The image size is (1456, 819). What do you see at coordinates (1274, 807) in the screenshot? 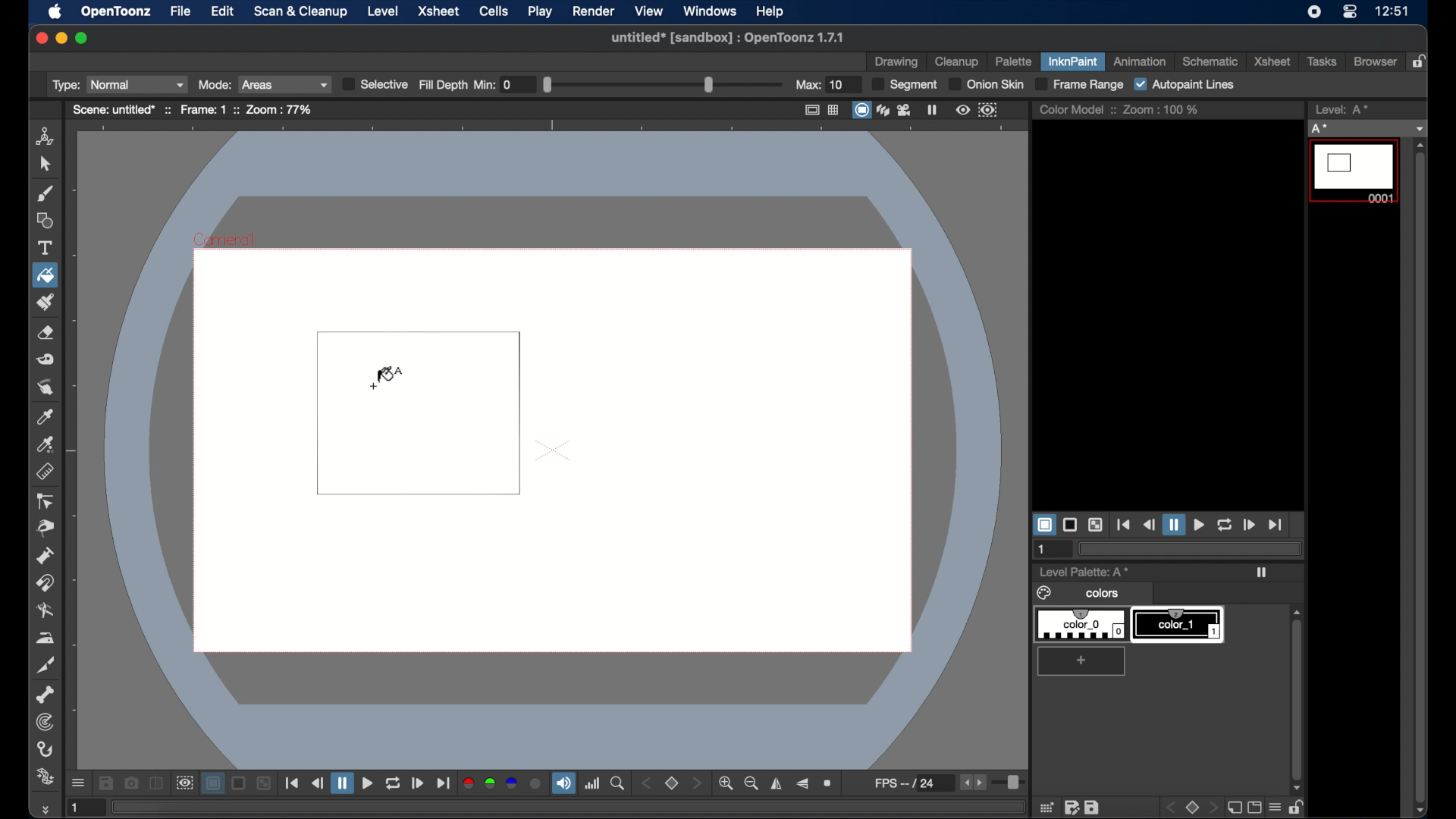
I see `menu` at bounding box center [1274, 807].